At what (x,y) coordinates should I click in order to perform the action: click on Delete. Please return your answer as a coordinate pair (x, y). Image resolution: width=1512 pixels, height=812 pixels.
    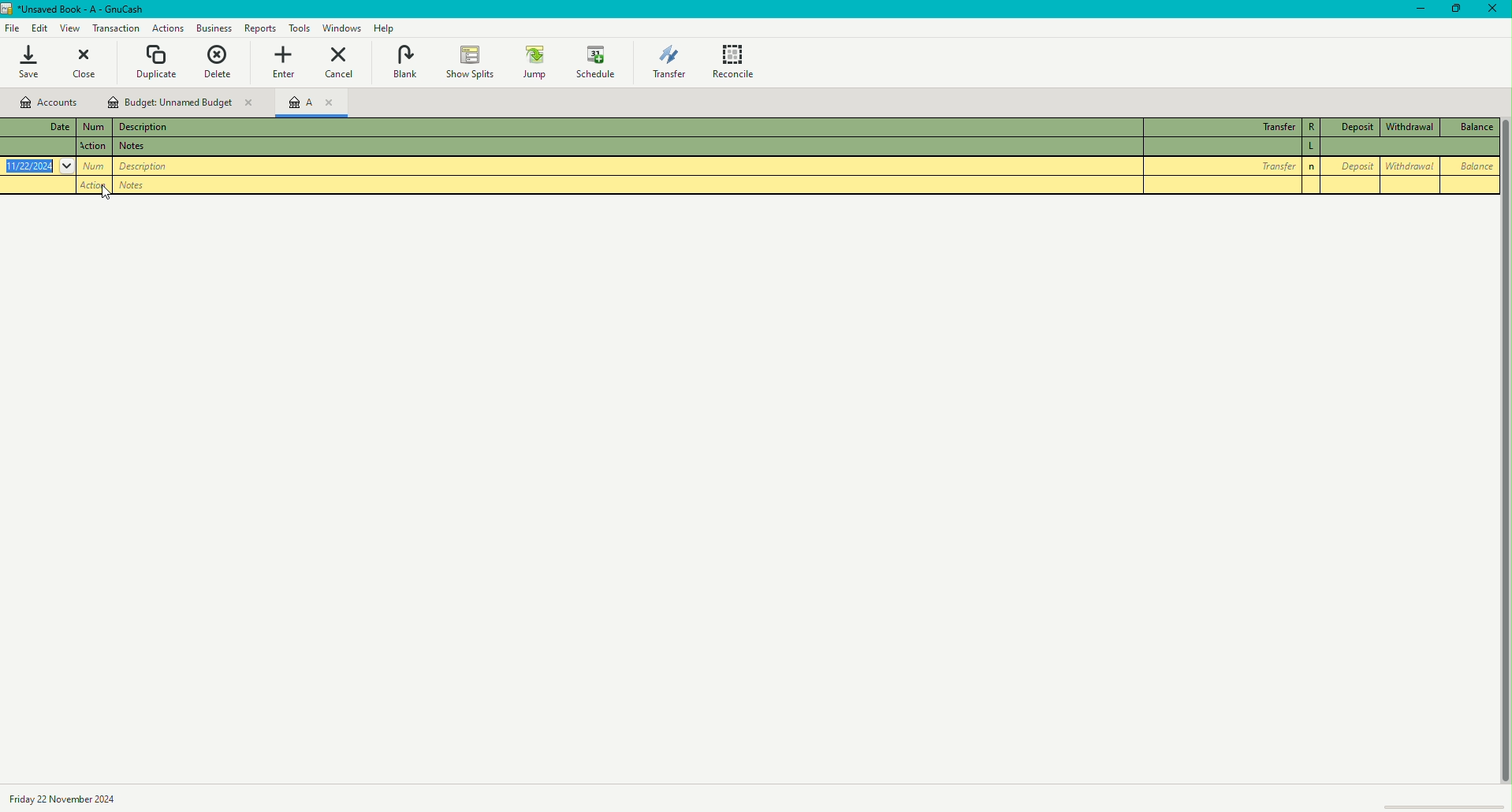
    Looking at the image, I should click on (222, 61).